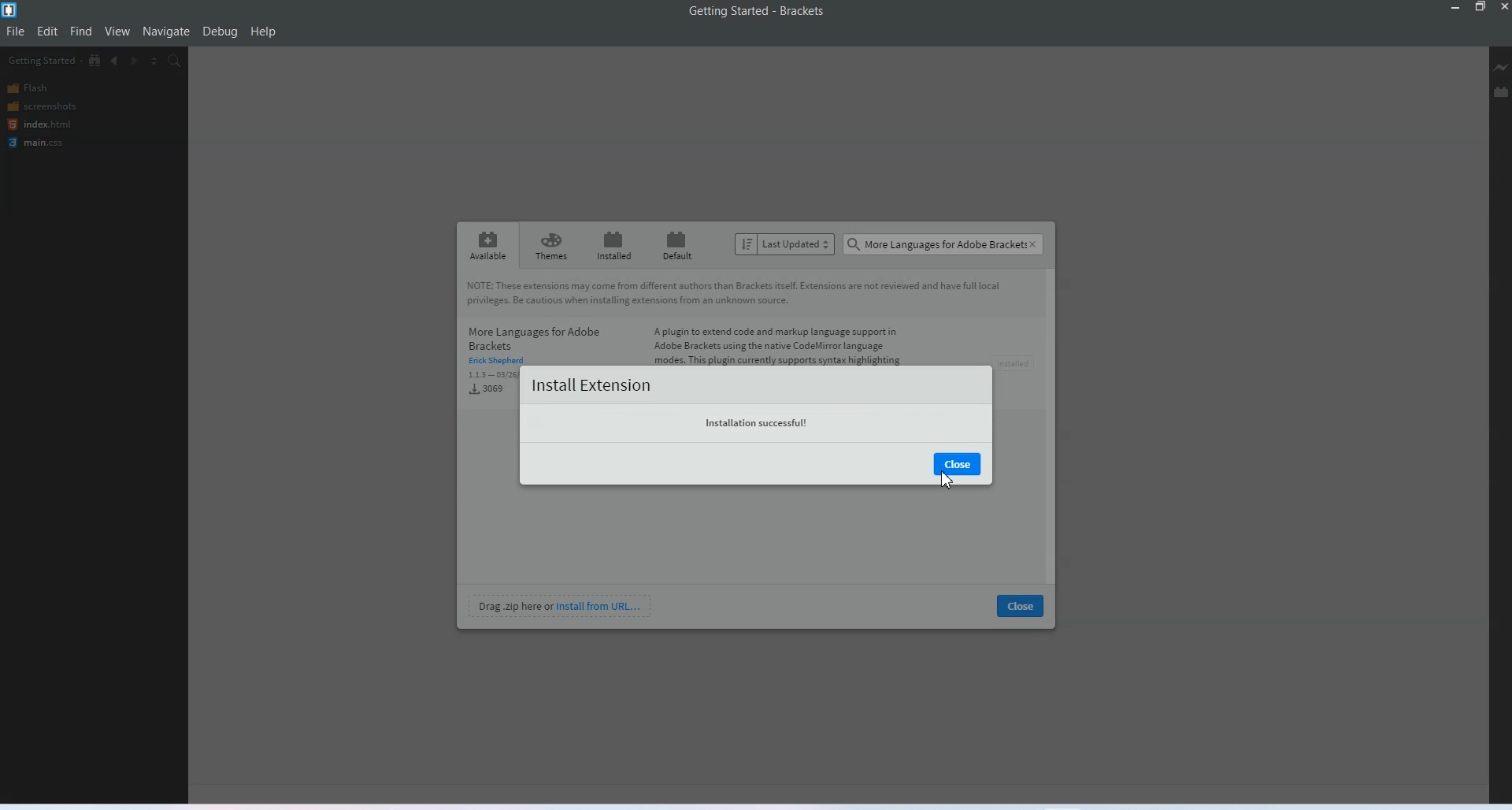 This screenshot has width=1512, height=810. Describe the element at coordinates (680, 244) in the screenshot. I see `default` at that location.